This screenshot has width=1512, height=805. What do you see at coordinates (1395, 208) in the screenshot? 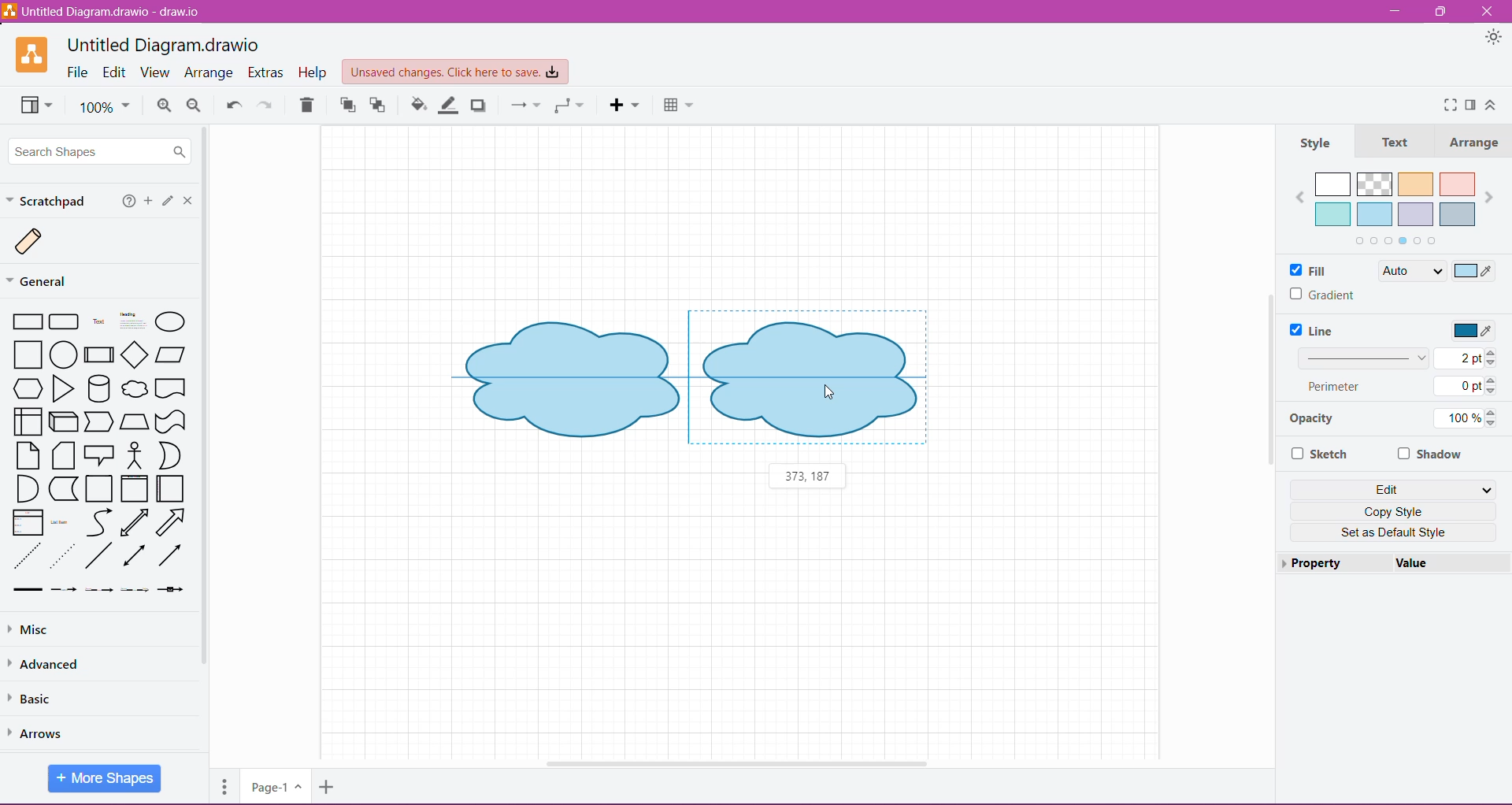
I see `Fill color palette` at bounding box center [1395, 208].